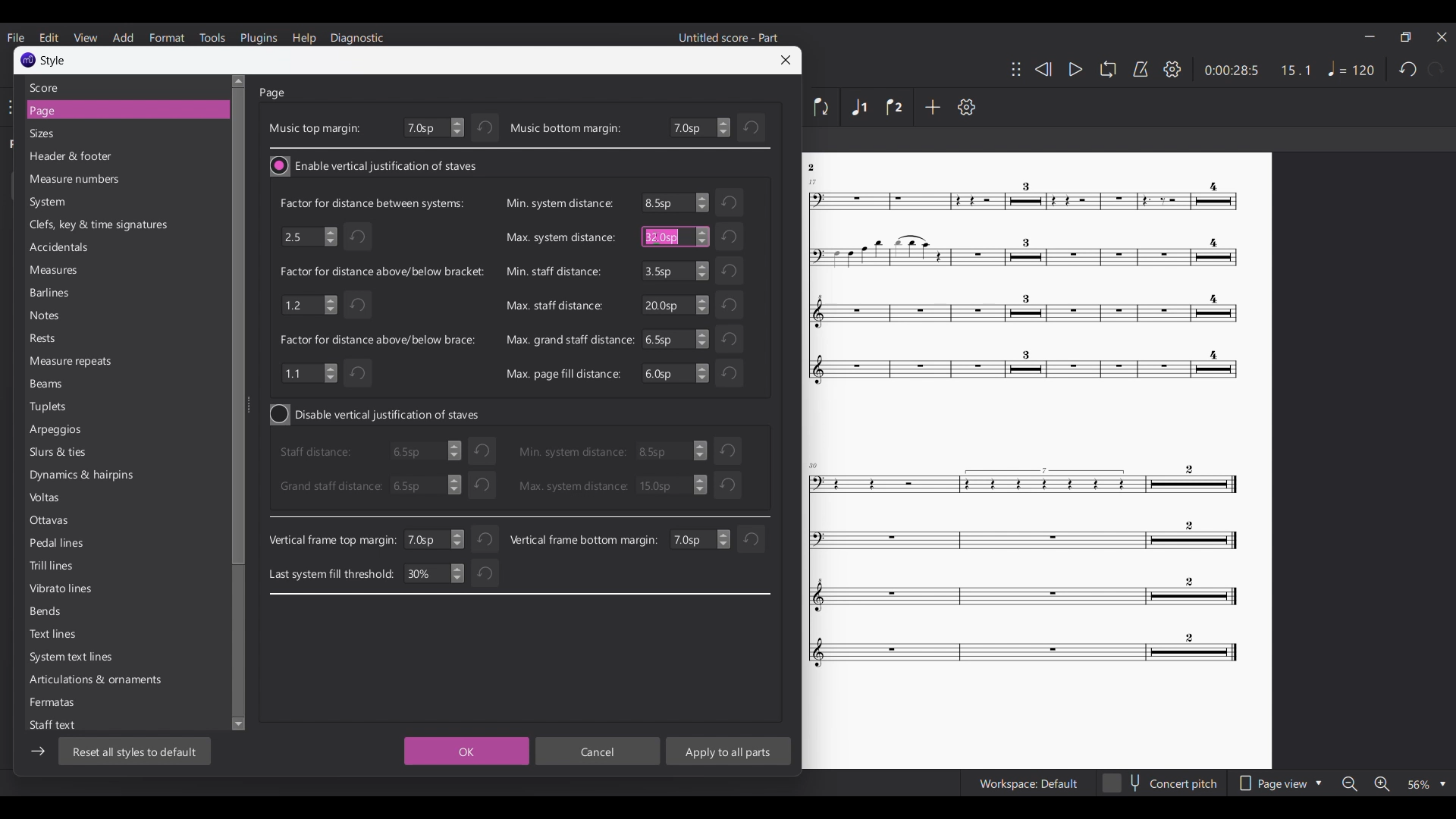  What do you see at coordinates (730, 449) in the screenshot?
I see `reset` at bounding box center [730, 449].